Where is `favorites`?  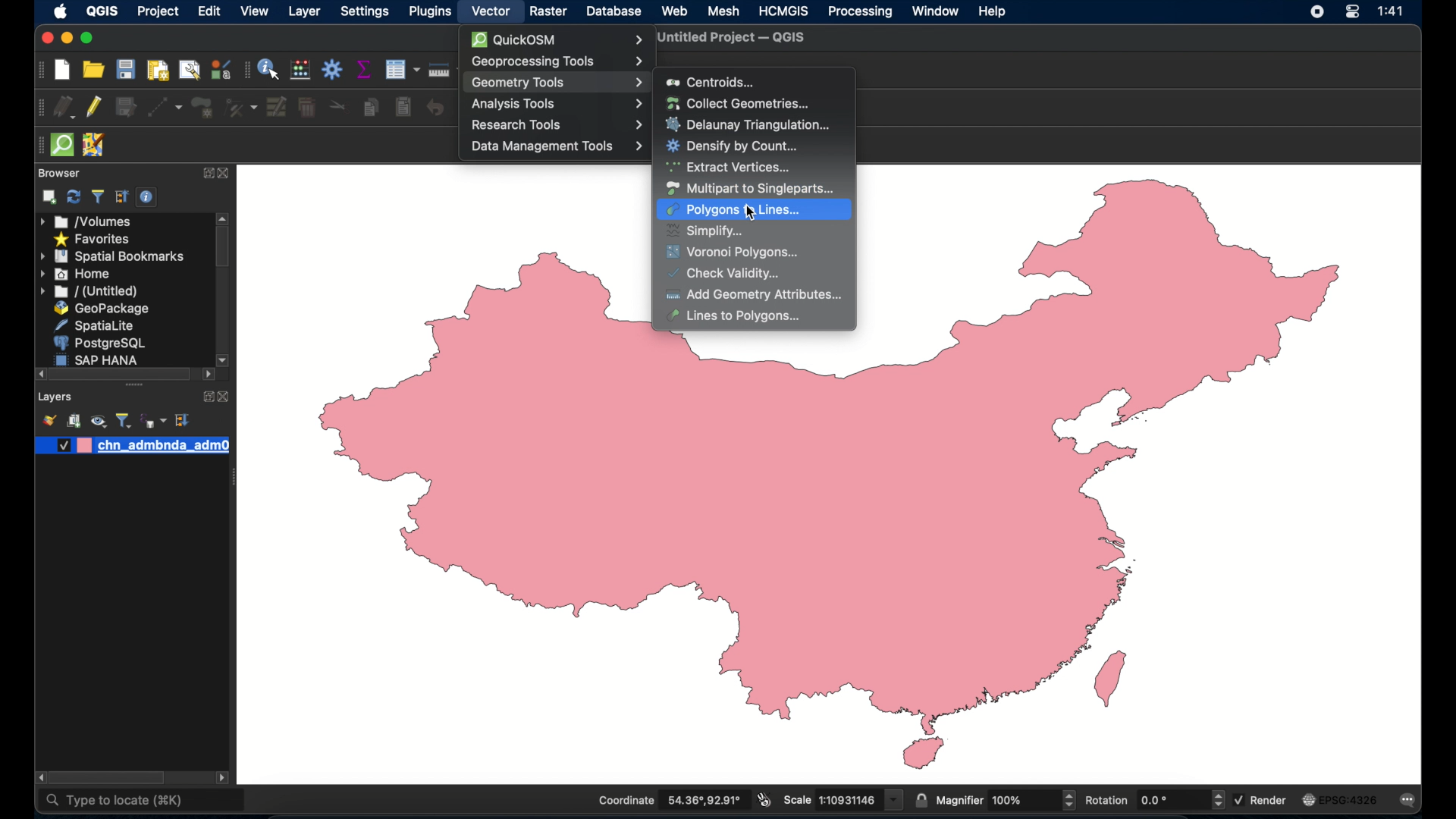
favorites is located at coordinates (95, 240).